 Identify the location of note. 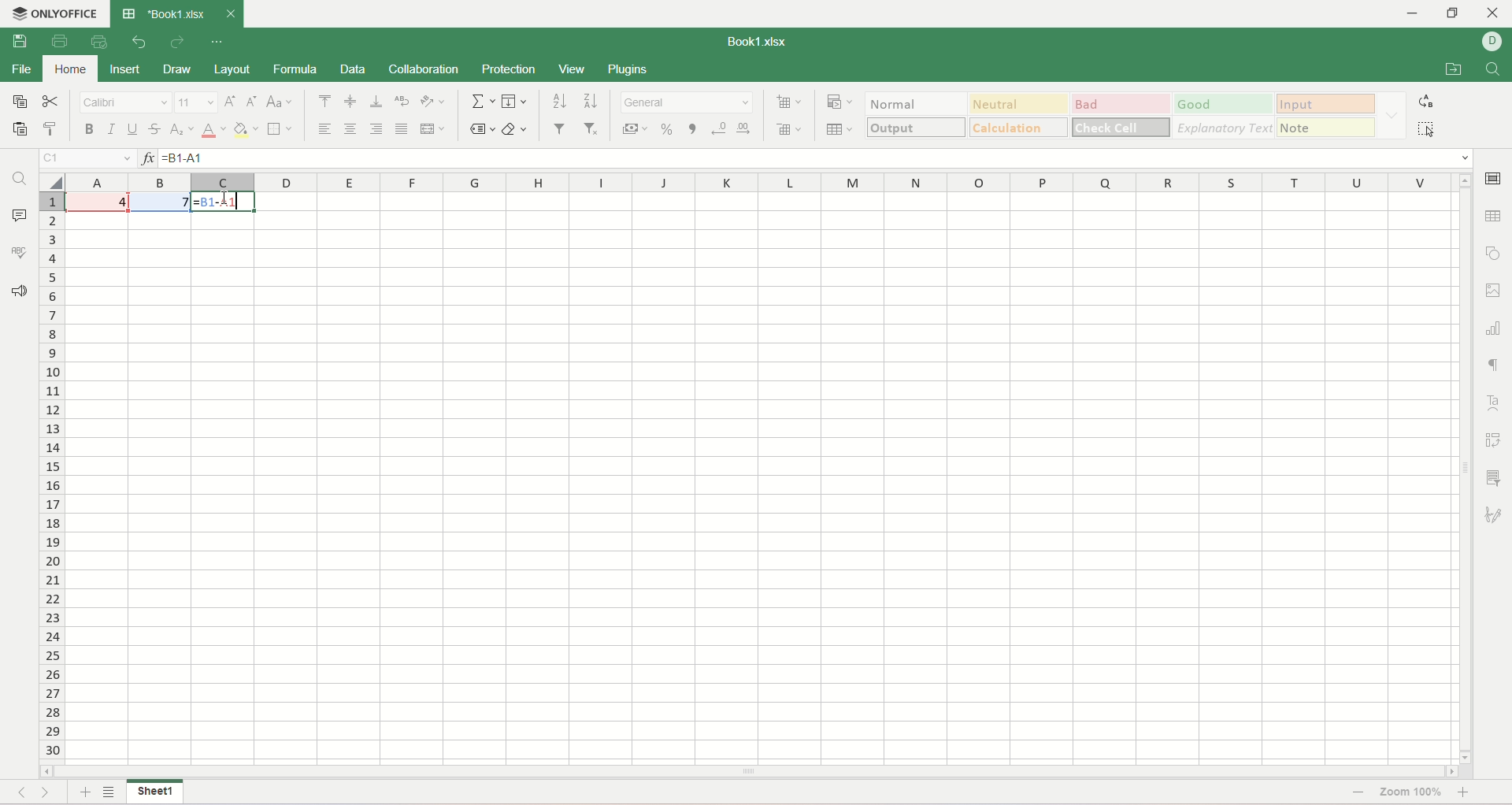
(1329, 127).